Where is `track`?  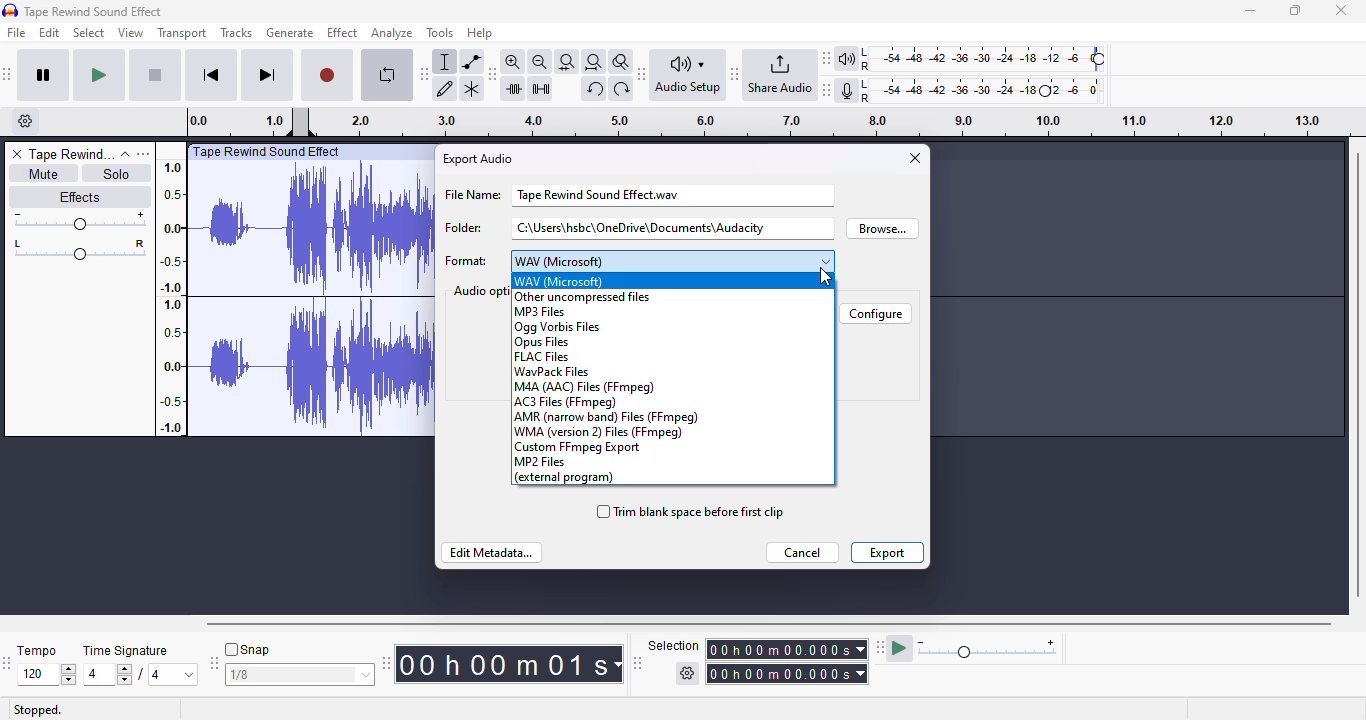 track is located at coordinates (72, 154).